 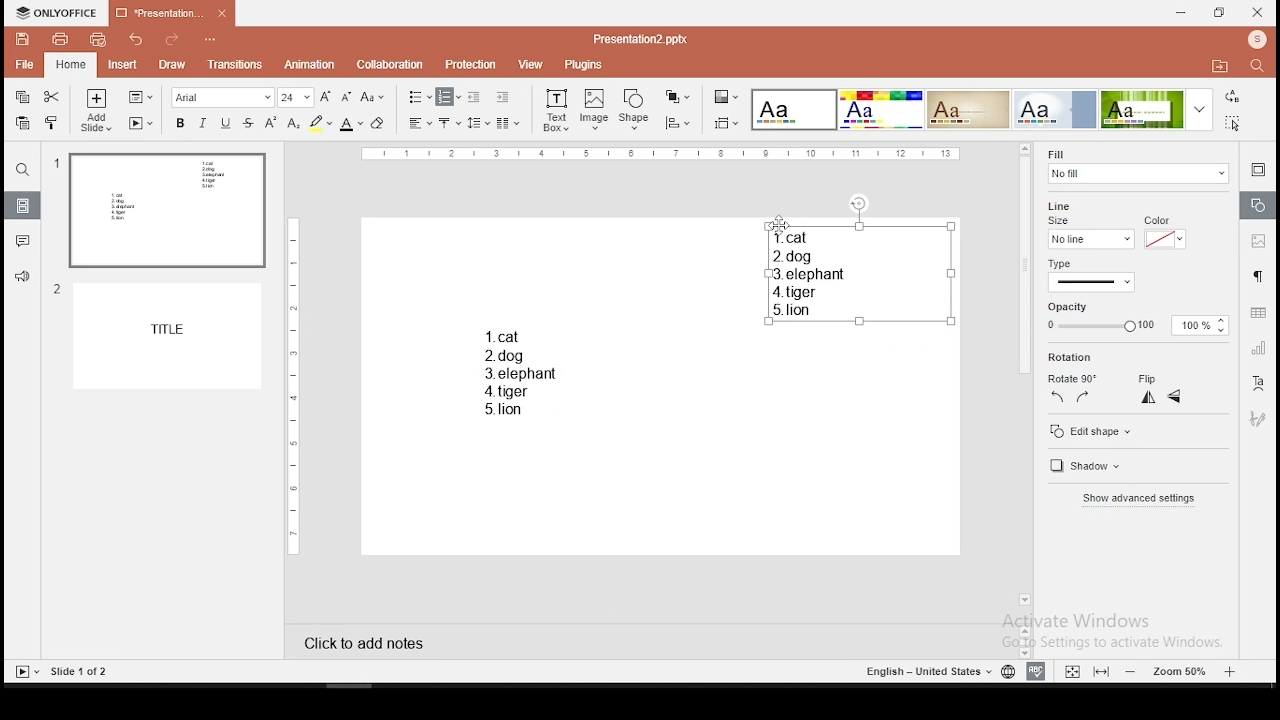 I want to click on image settings, so click(x=1258, y=240).